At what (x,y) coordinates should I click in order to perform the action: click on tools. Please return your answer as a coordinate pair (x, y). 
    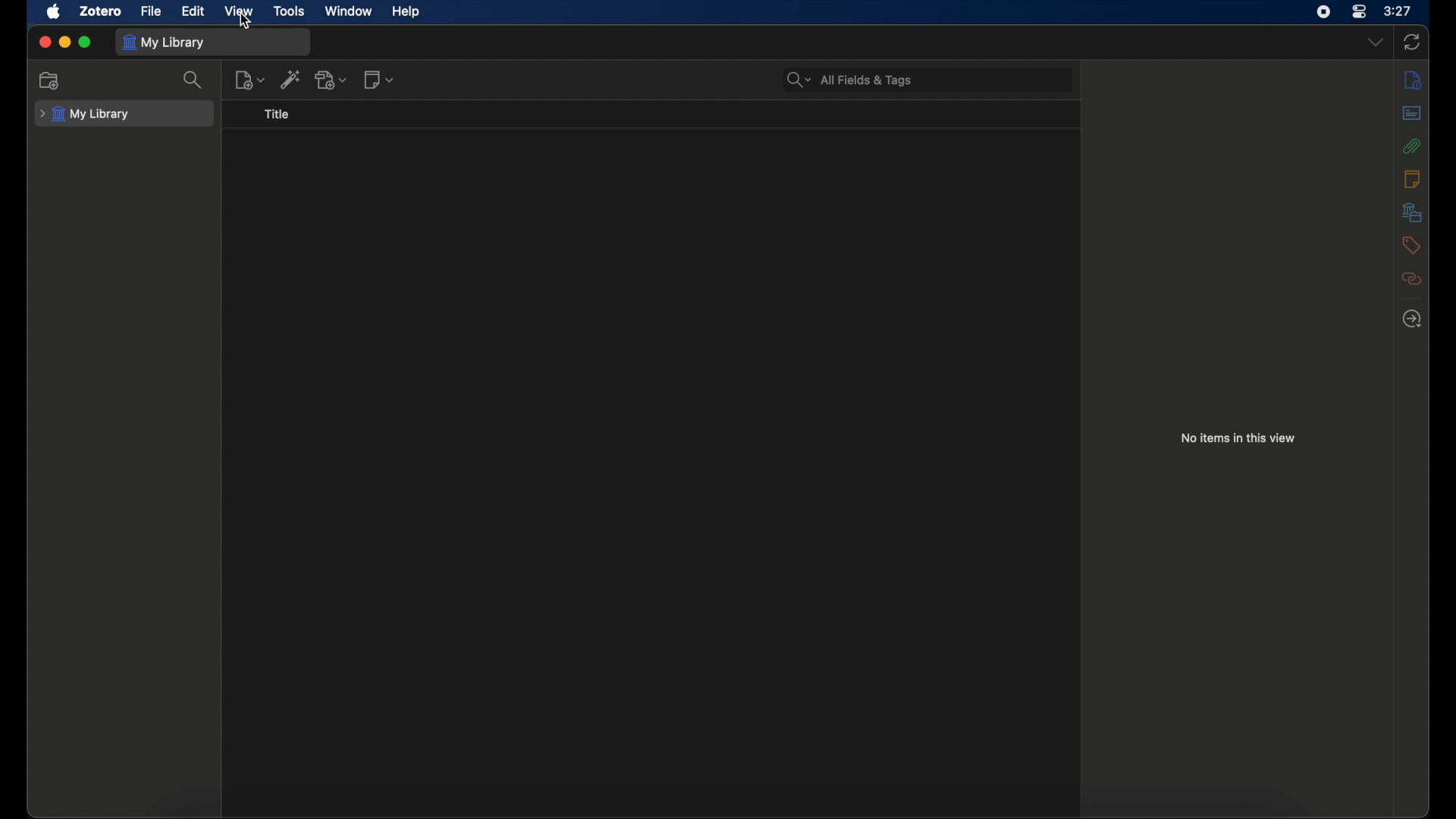
    Looking at the image, I should click on (290, 11).